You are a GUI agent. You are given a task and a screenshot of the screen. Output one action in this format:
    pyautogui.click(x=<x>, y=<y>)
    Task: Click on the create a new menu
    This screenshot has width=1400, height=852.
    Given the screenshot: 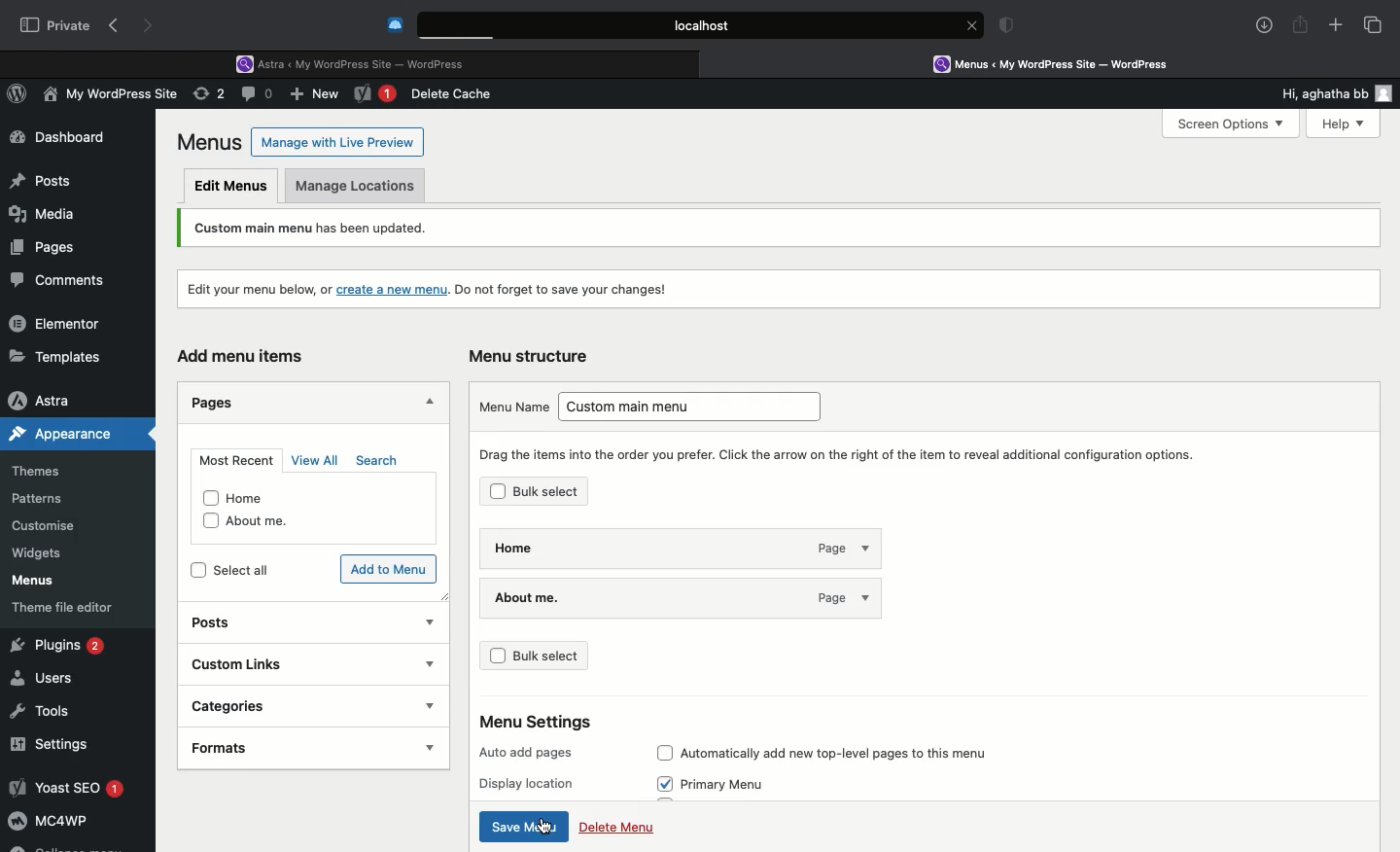 What is the action you would take?
    pyautogui.click(x=396, y=285)
    